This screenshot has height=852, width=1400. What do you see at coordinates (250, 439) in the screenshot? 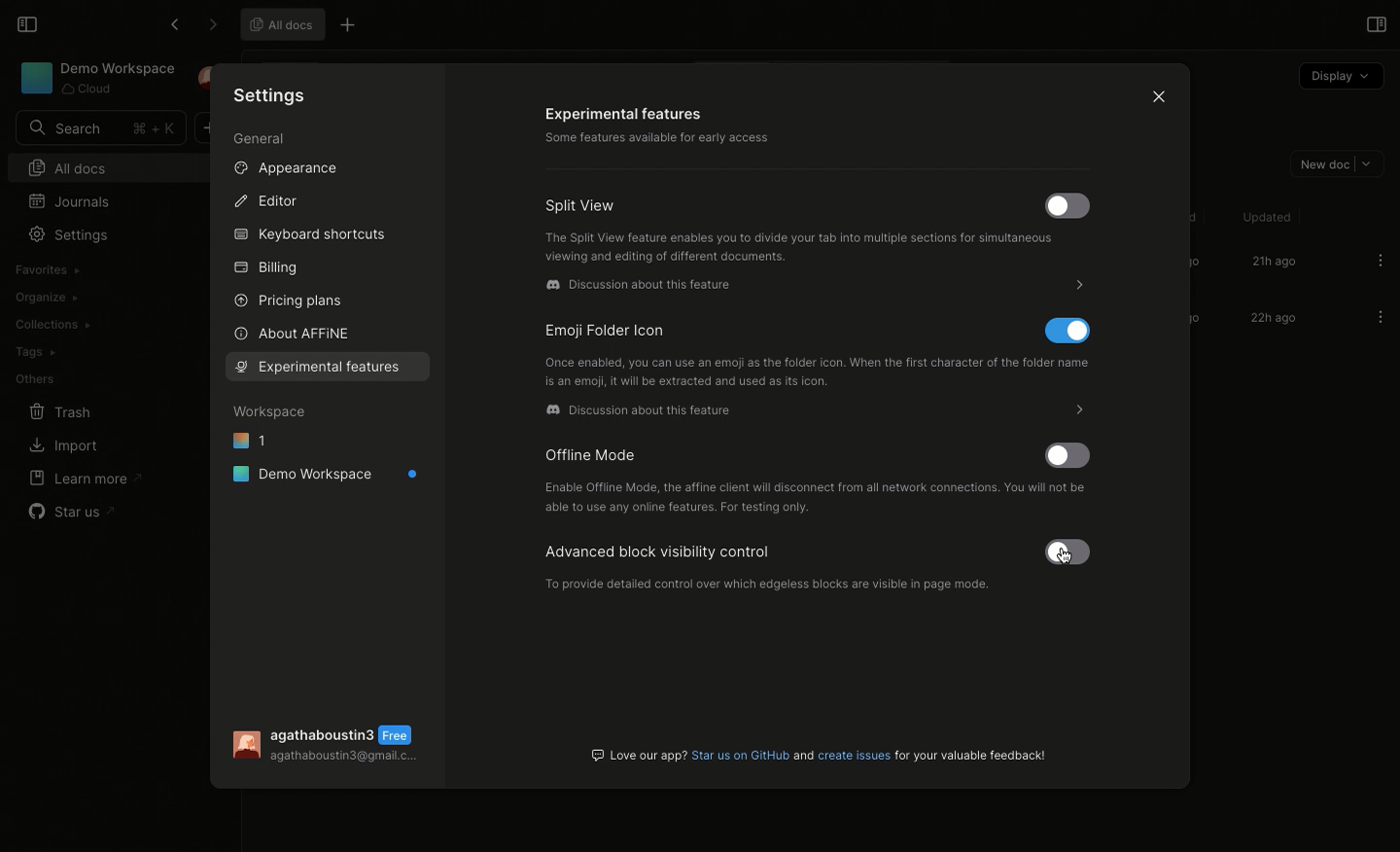
I see `1` at bounding box center [250, 439].